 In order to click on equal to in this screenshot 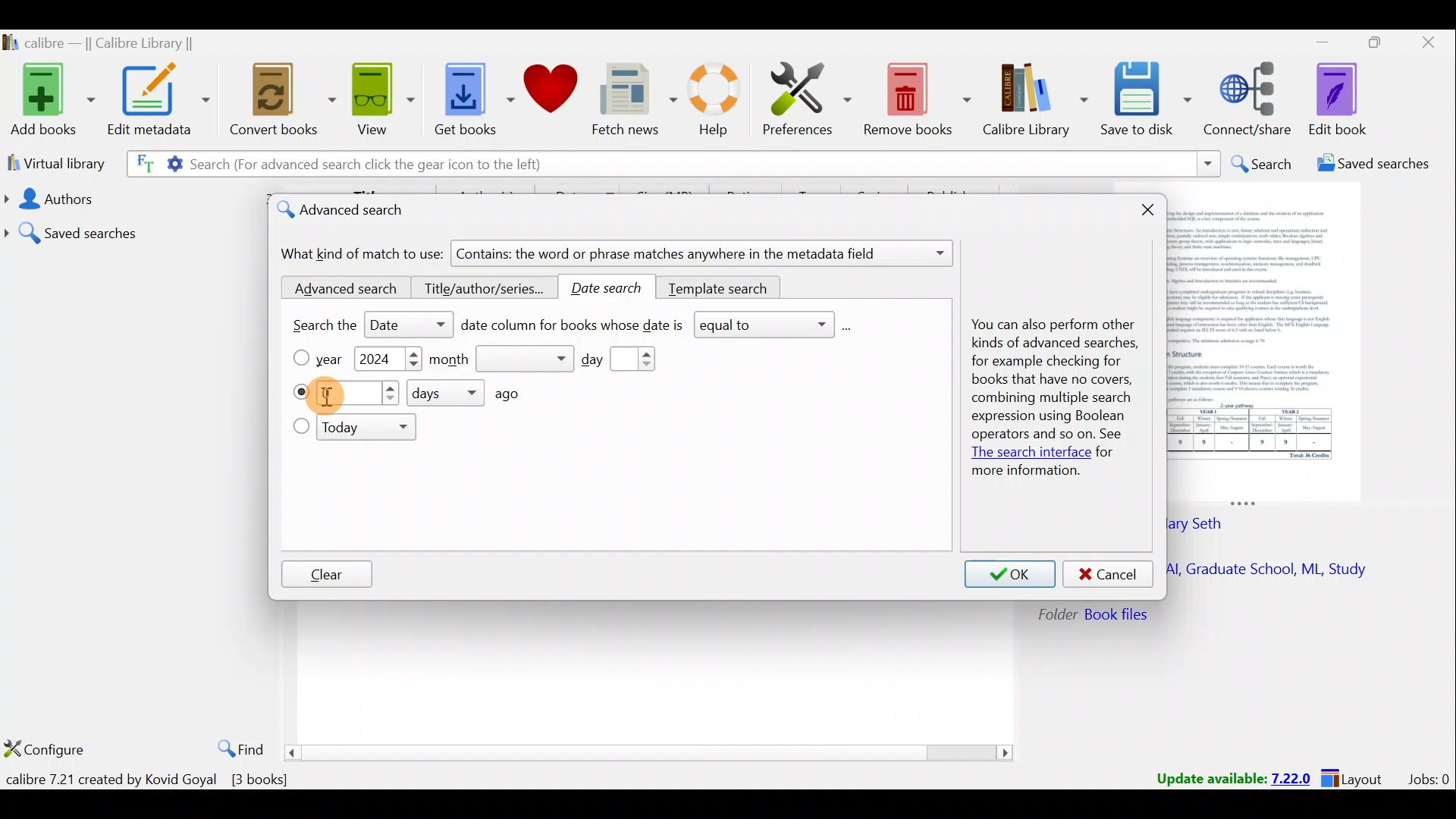, I will do `click(773, 326)`.